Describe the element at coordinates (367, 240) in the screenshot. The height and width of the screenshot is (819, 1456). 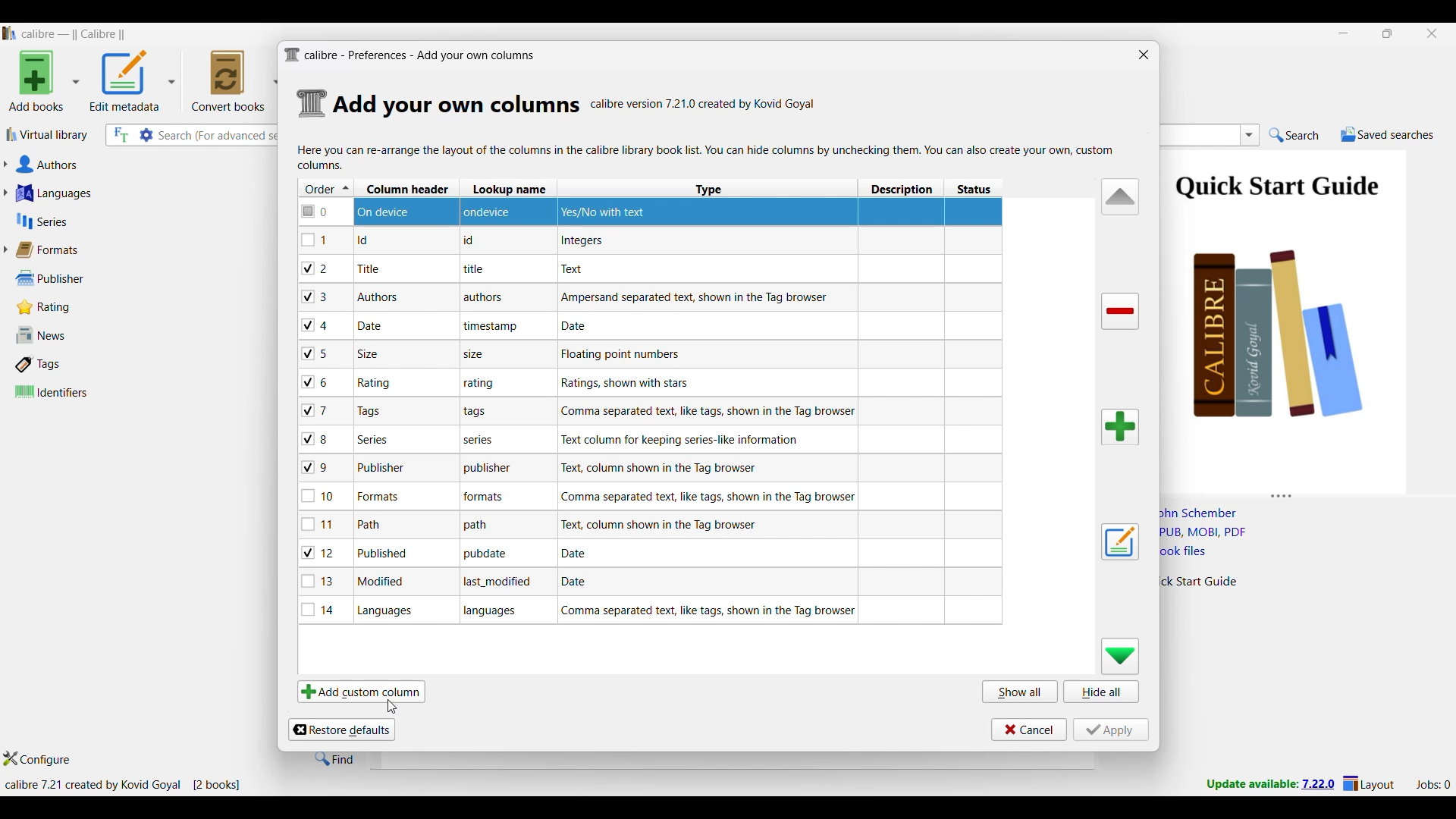
I see `Note` at that location.